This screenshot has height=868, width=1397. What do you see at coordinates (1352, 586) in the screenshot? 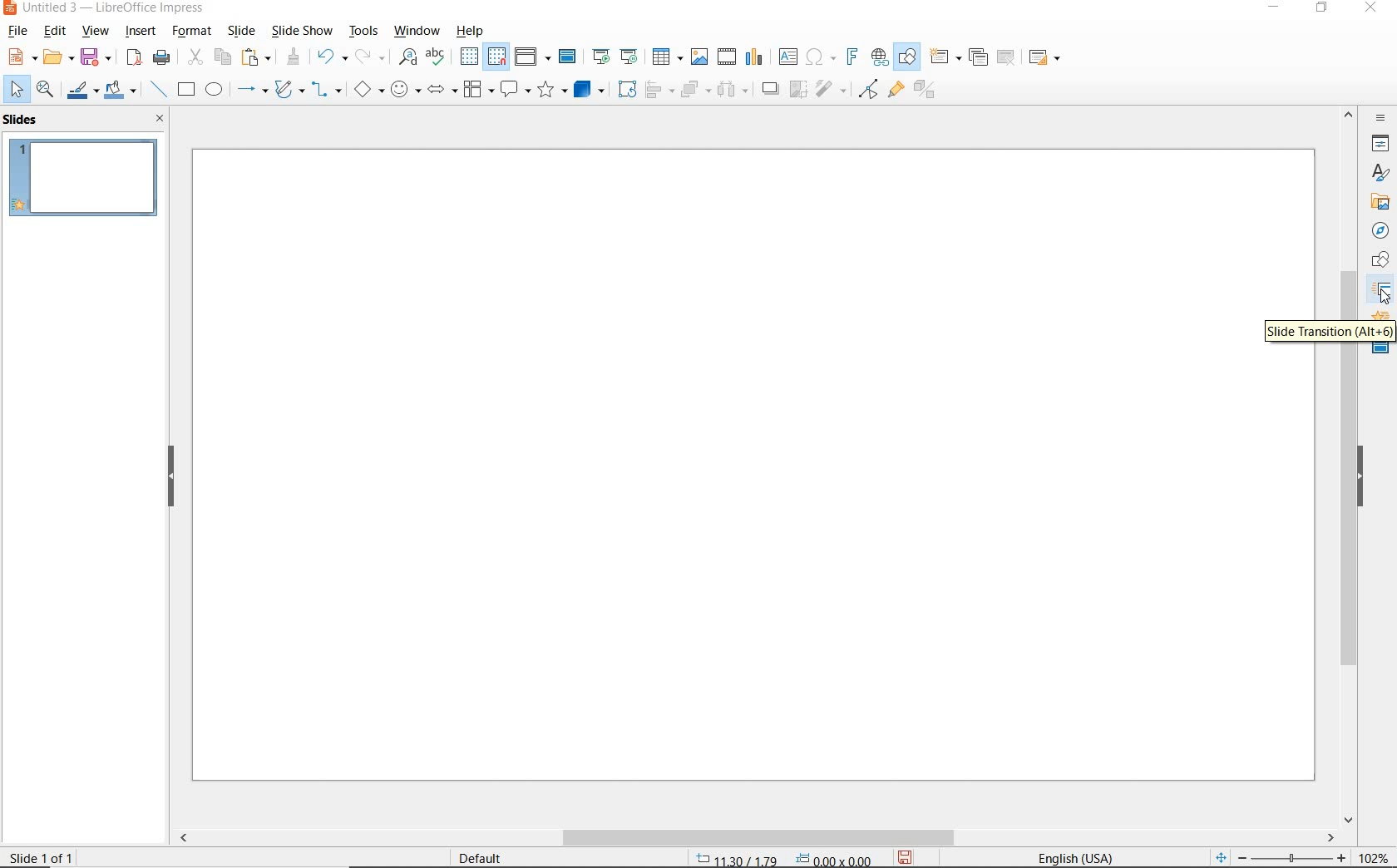
I see `SCROLLBAR` at bounding box center [1352, 586].